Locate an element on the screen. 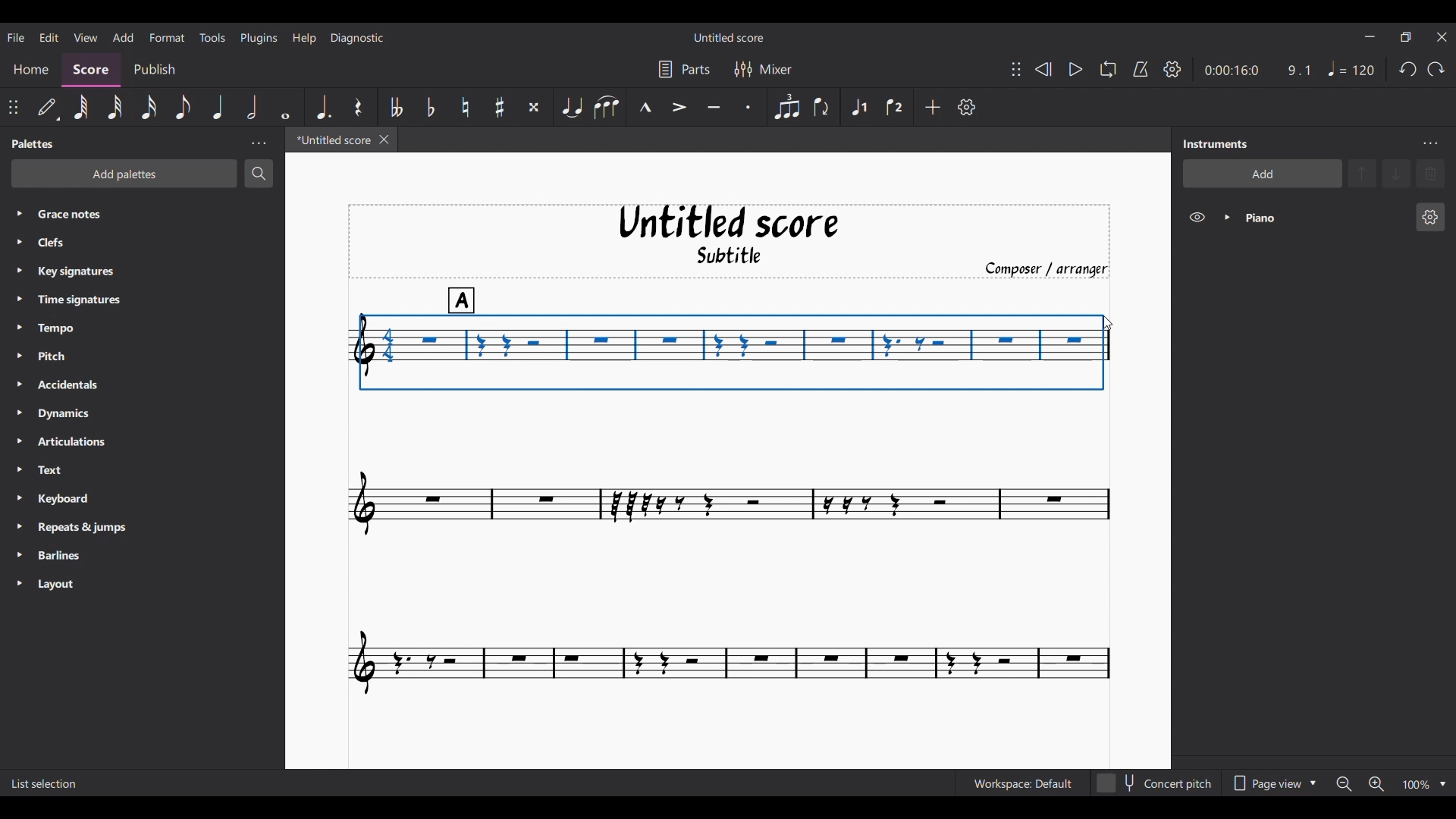 Image resolution: width=1456 pixels, height=819 pixels. Customize toolbar is located at coordinates (967, 107).